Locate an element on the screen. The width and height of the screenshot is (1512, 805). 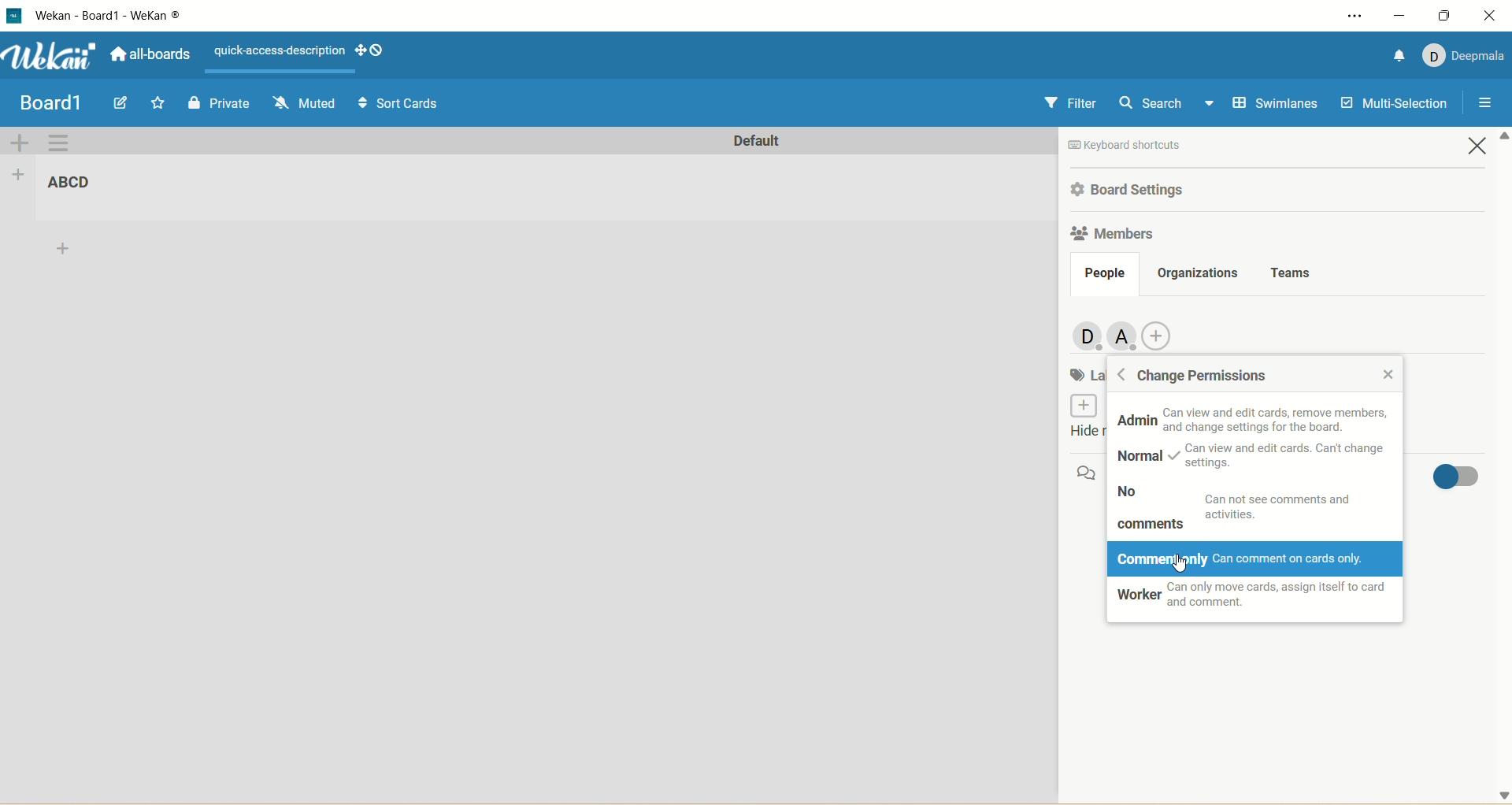
account is located at coordinates (1464, 57).